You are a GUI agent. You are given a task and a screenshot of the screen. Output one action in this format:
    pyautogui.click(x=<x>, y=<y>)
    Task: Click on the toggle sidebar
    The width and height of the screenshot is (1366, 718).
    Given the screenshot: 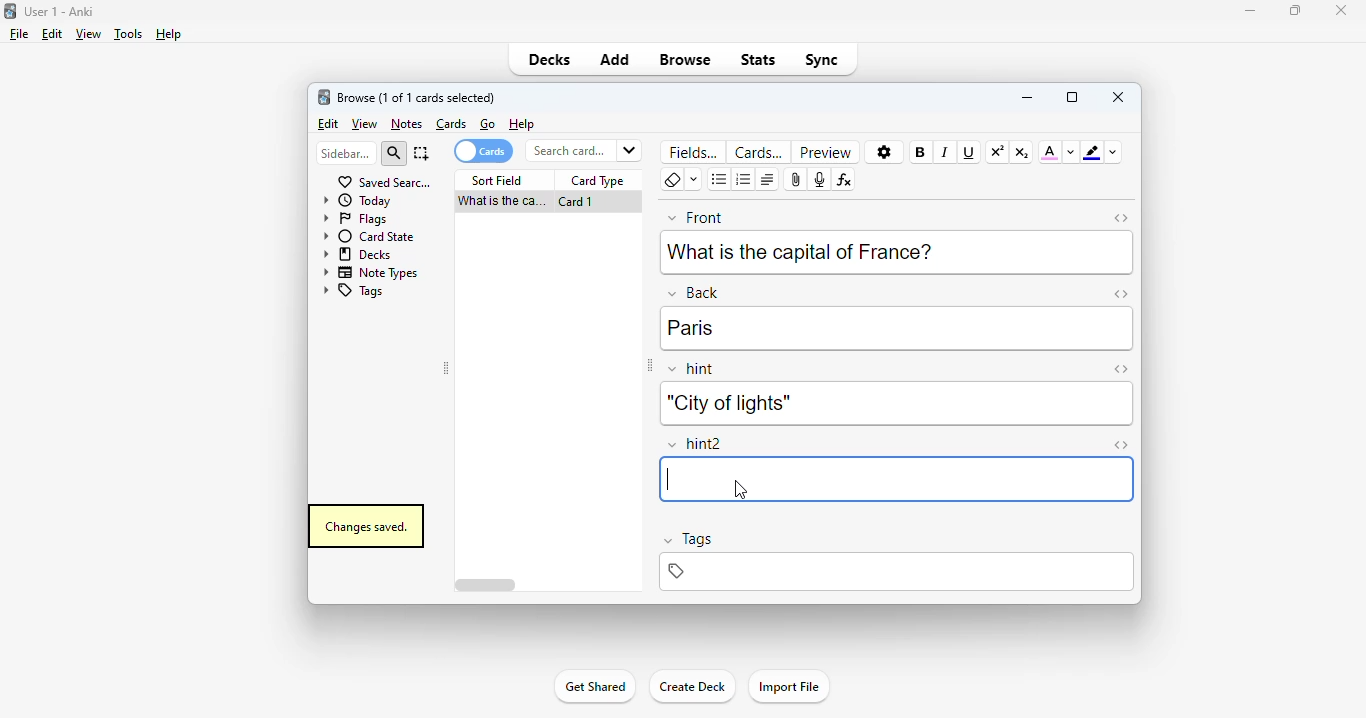 What is the action you would take?
    pyautogui.click(x=447, y=369)
    